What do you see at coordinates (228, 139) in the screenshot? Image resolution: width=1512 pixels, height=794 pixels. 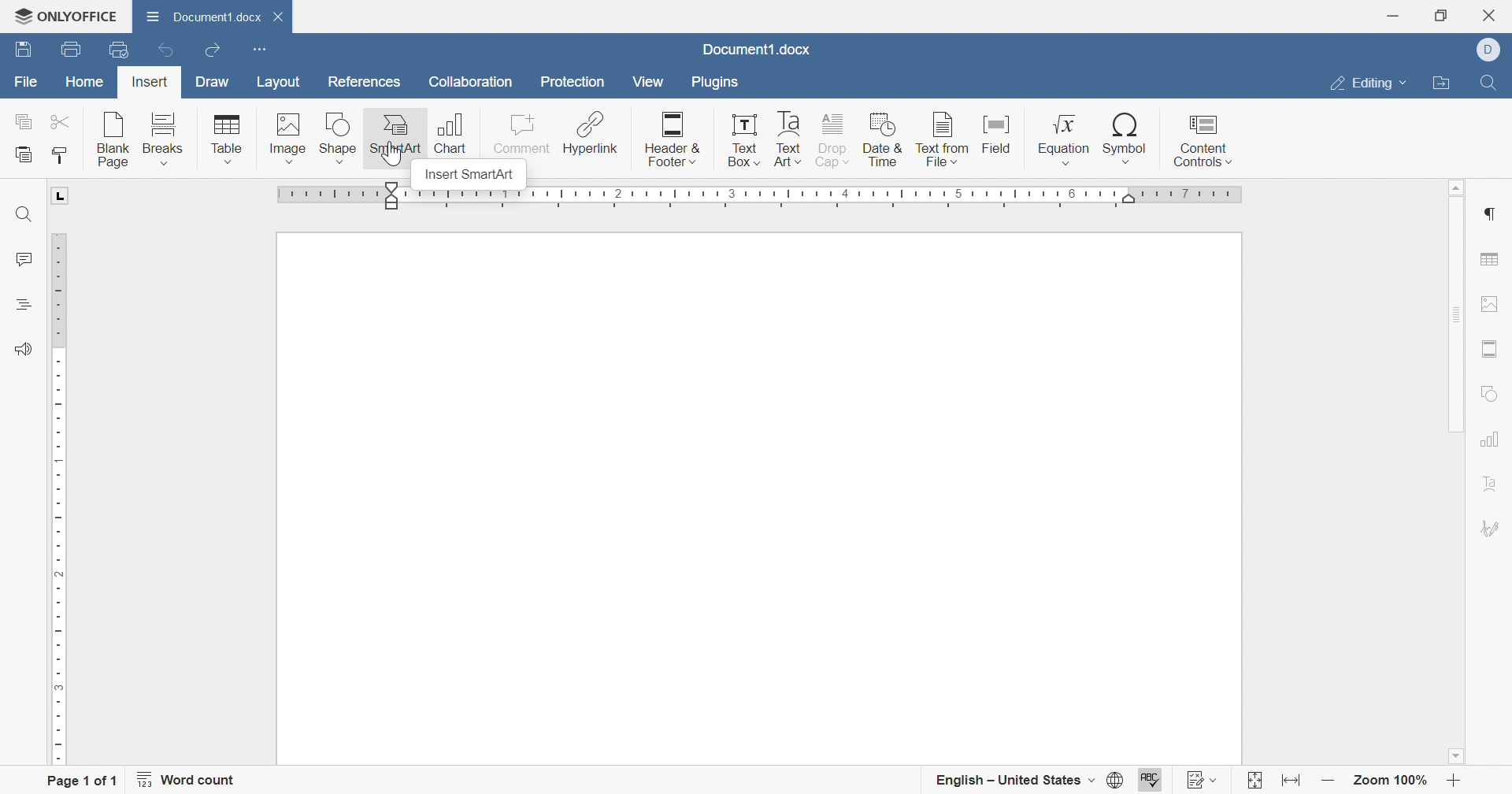 I see `Table` at bounding box center [228, 139].